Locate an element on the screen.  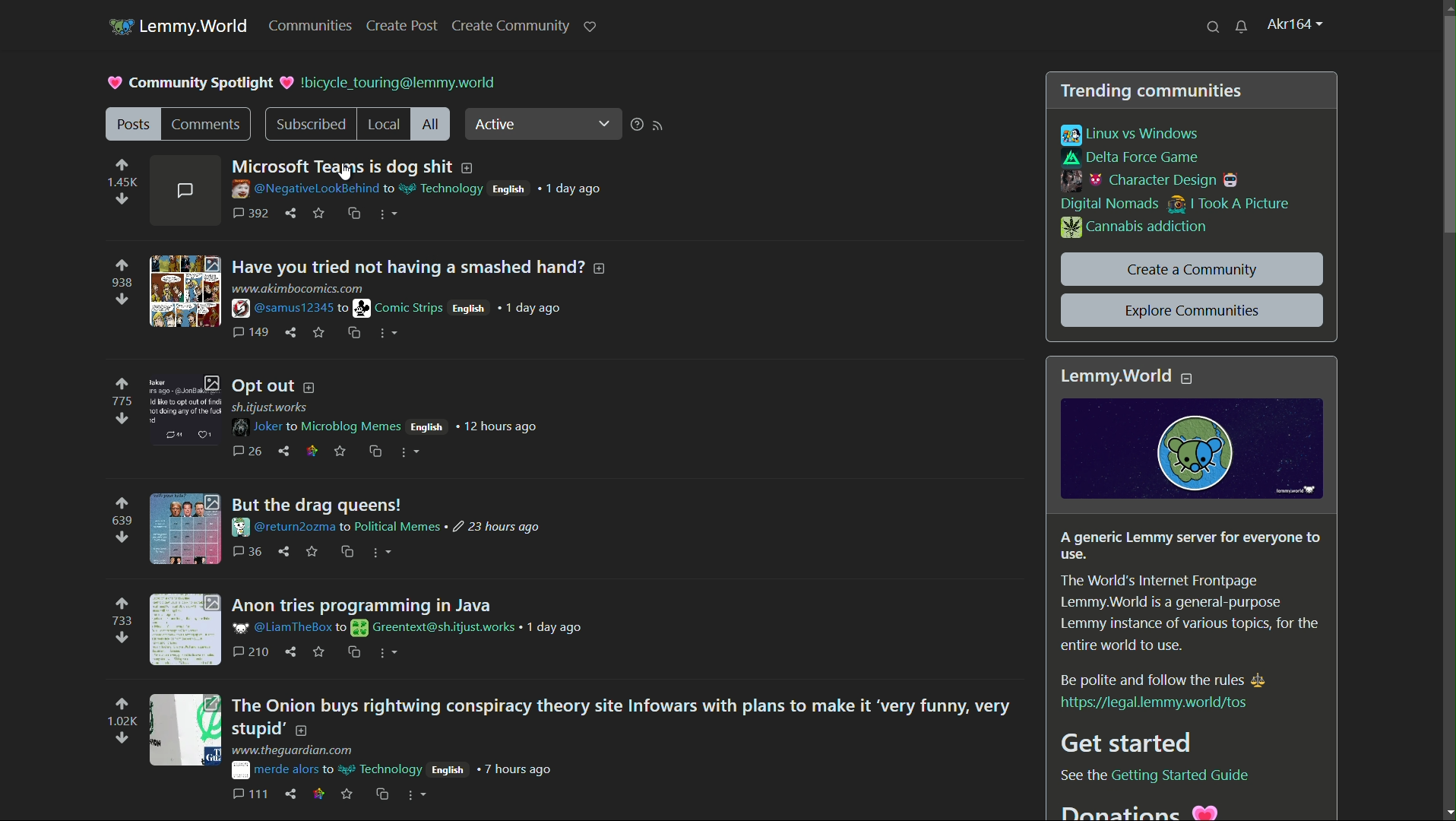
cs is located at coordinates (385, 792).